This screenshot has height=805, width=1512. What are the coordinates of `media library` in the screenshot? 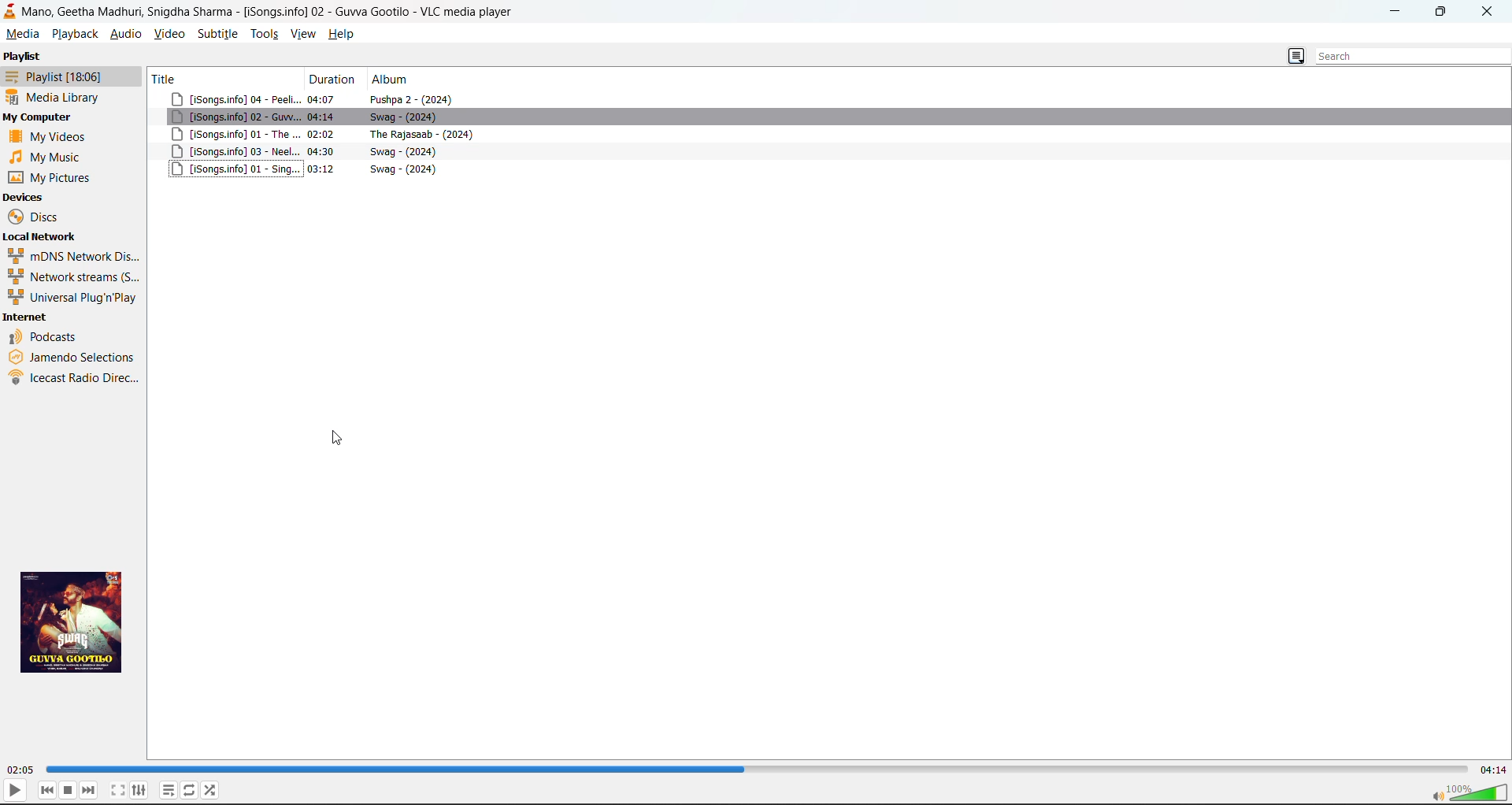 It's located at (57, 97).